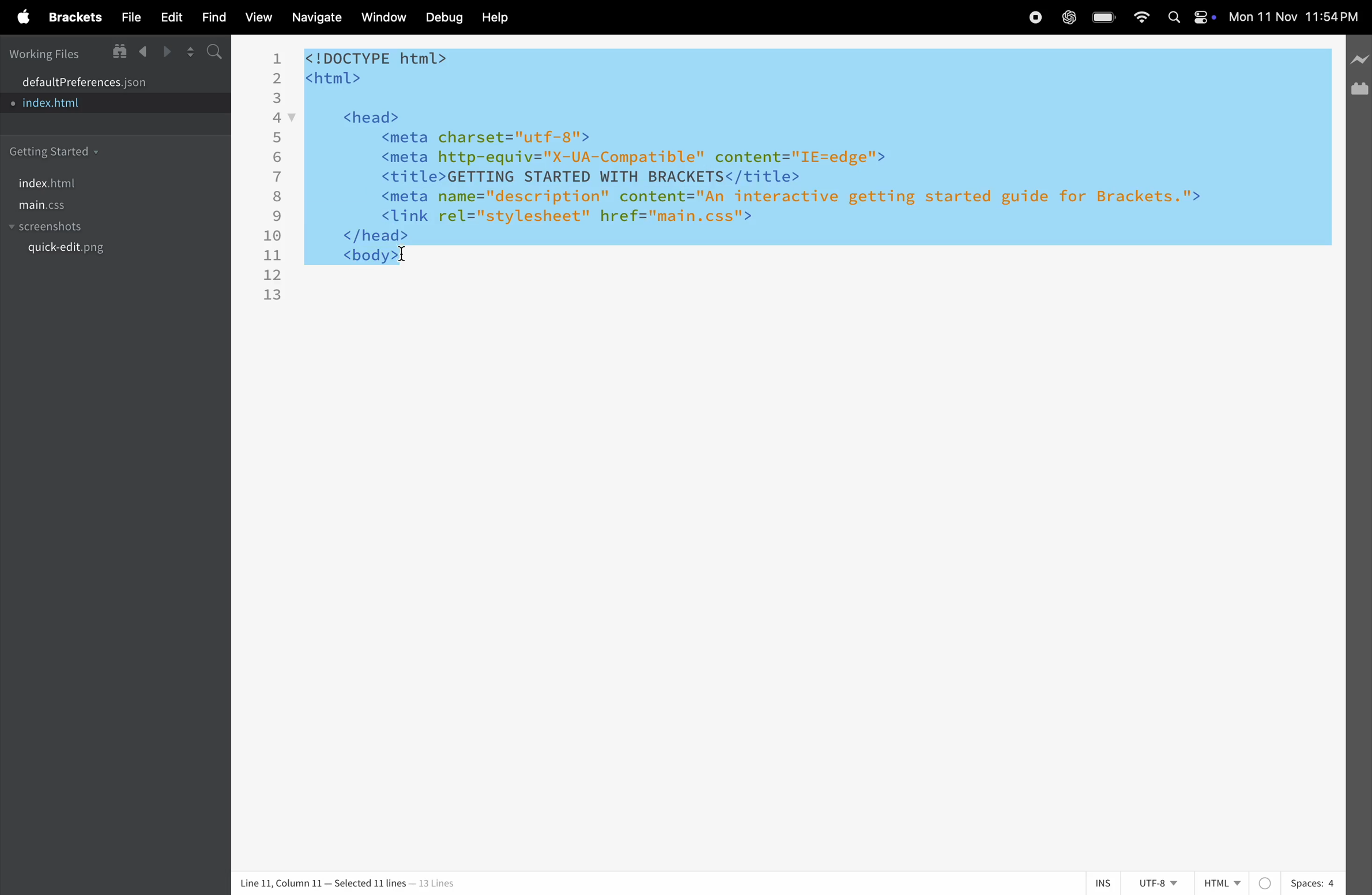 This screenshot has width=1372, height=895. What do you see at coordinates (496, 18) in the screenshot?
I see `help` at bounding box center [496, 18].